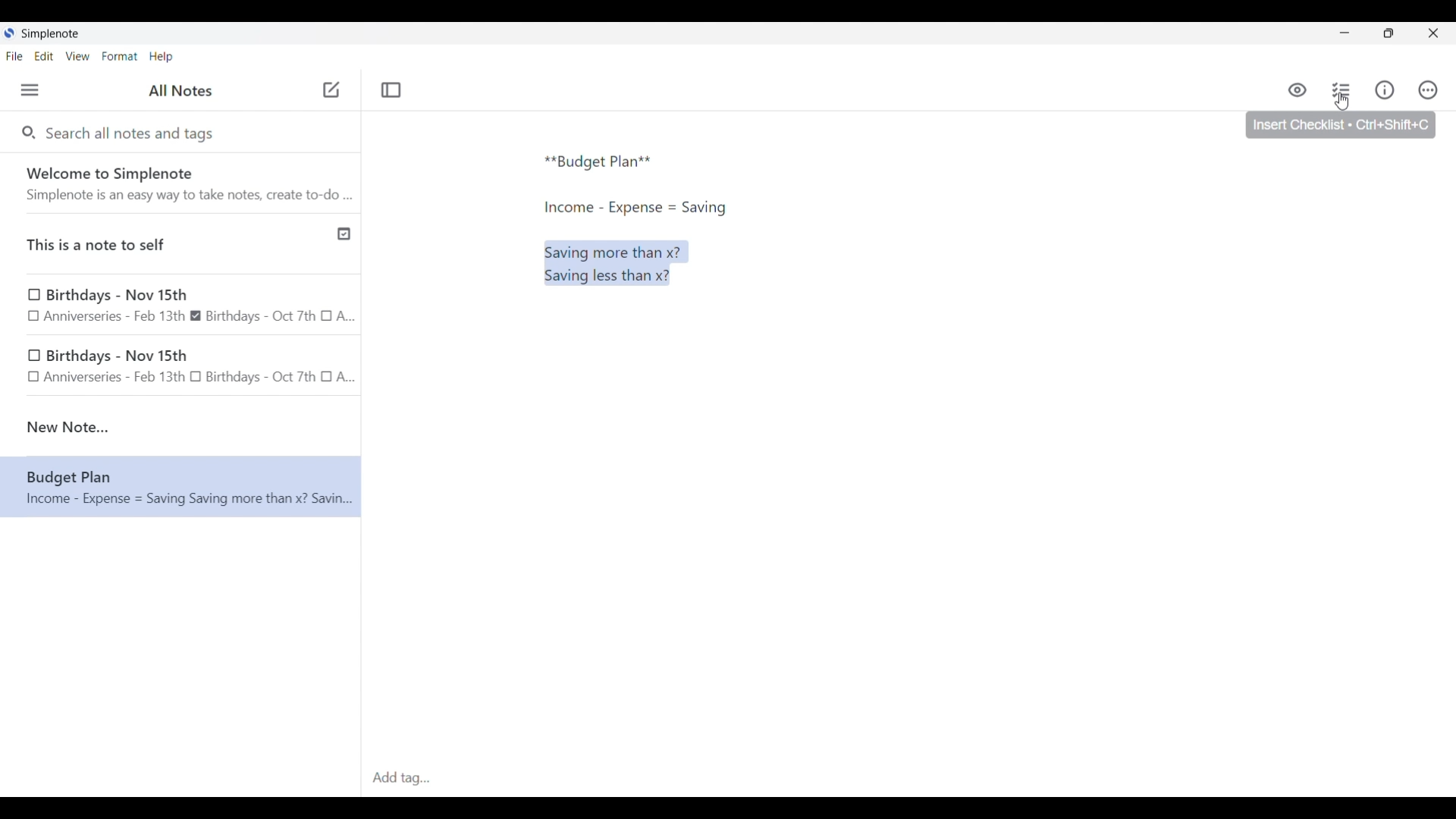 This screenshot has height=819, width=1456. I want to click on Minimize, so click(1345, 33).